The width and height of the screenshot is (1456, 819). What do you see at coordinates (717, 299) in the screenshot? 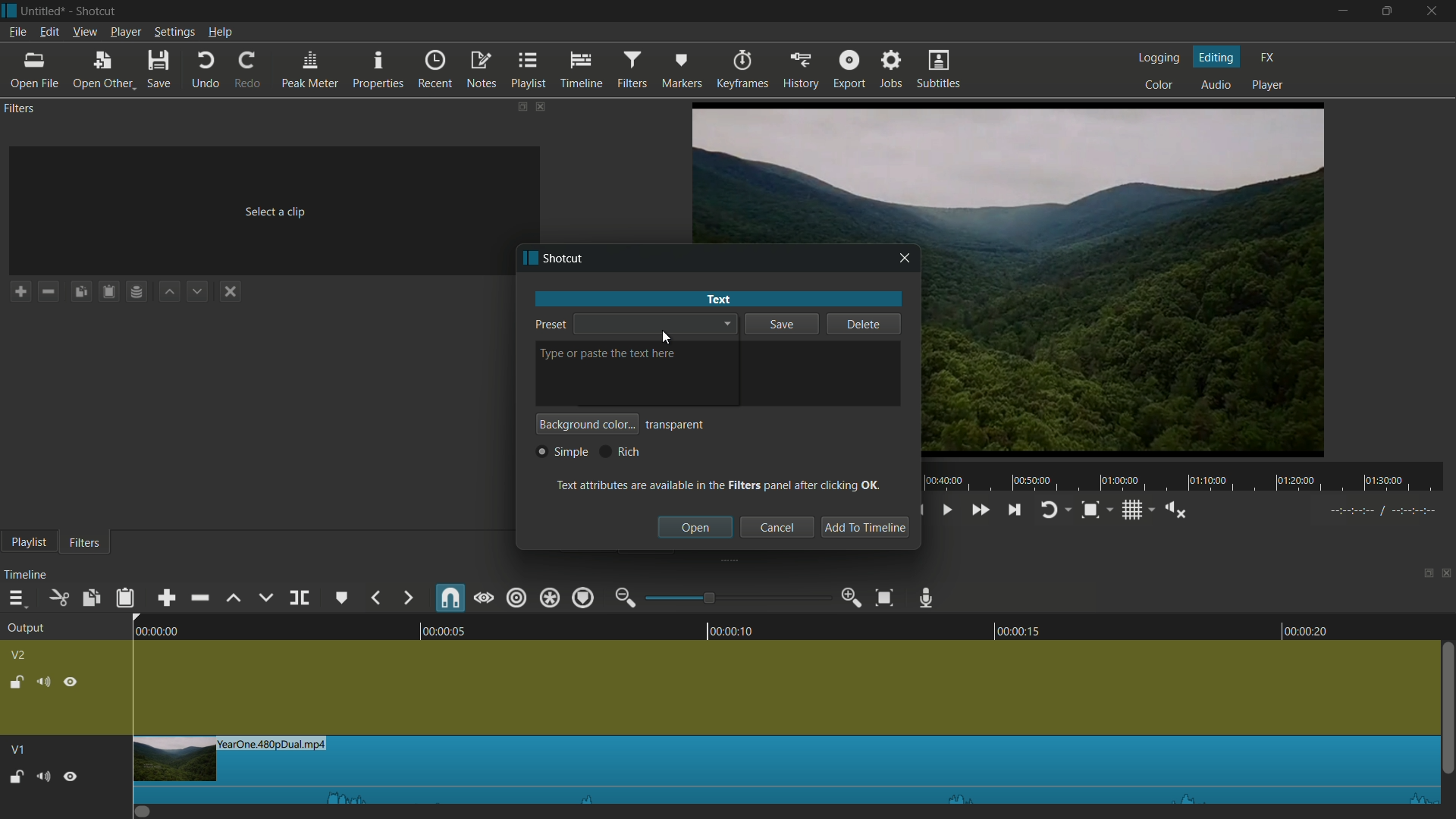
I see `text` at bounding box center [717, 299].